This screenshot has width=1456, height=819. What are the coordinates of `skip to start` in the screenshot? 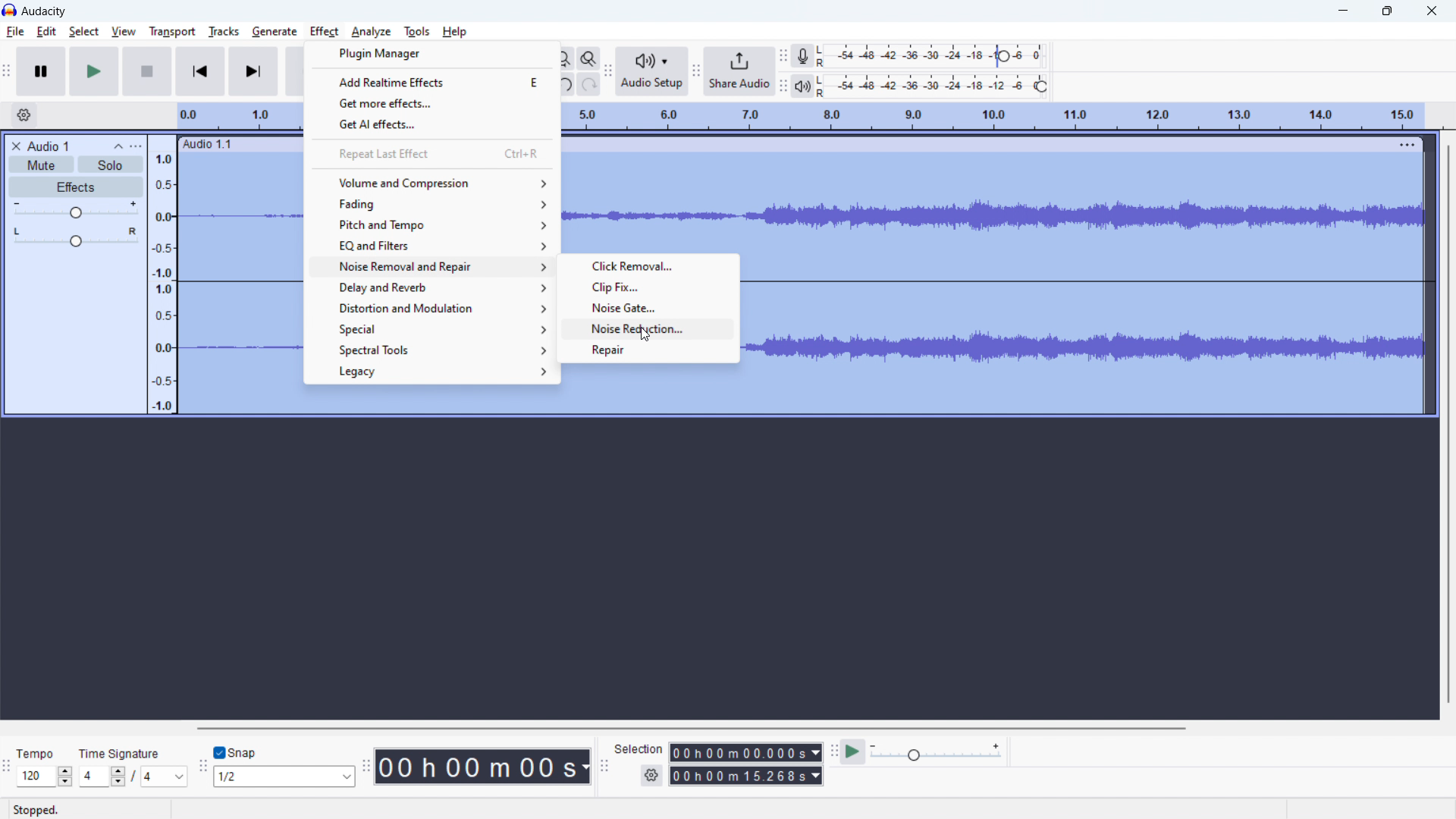 It's located at (199, 71).